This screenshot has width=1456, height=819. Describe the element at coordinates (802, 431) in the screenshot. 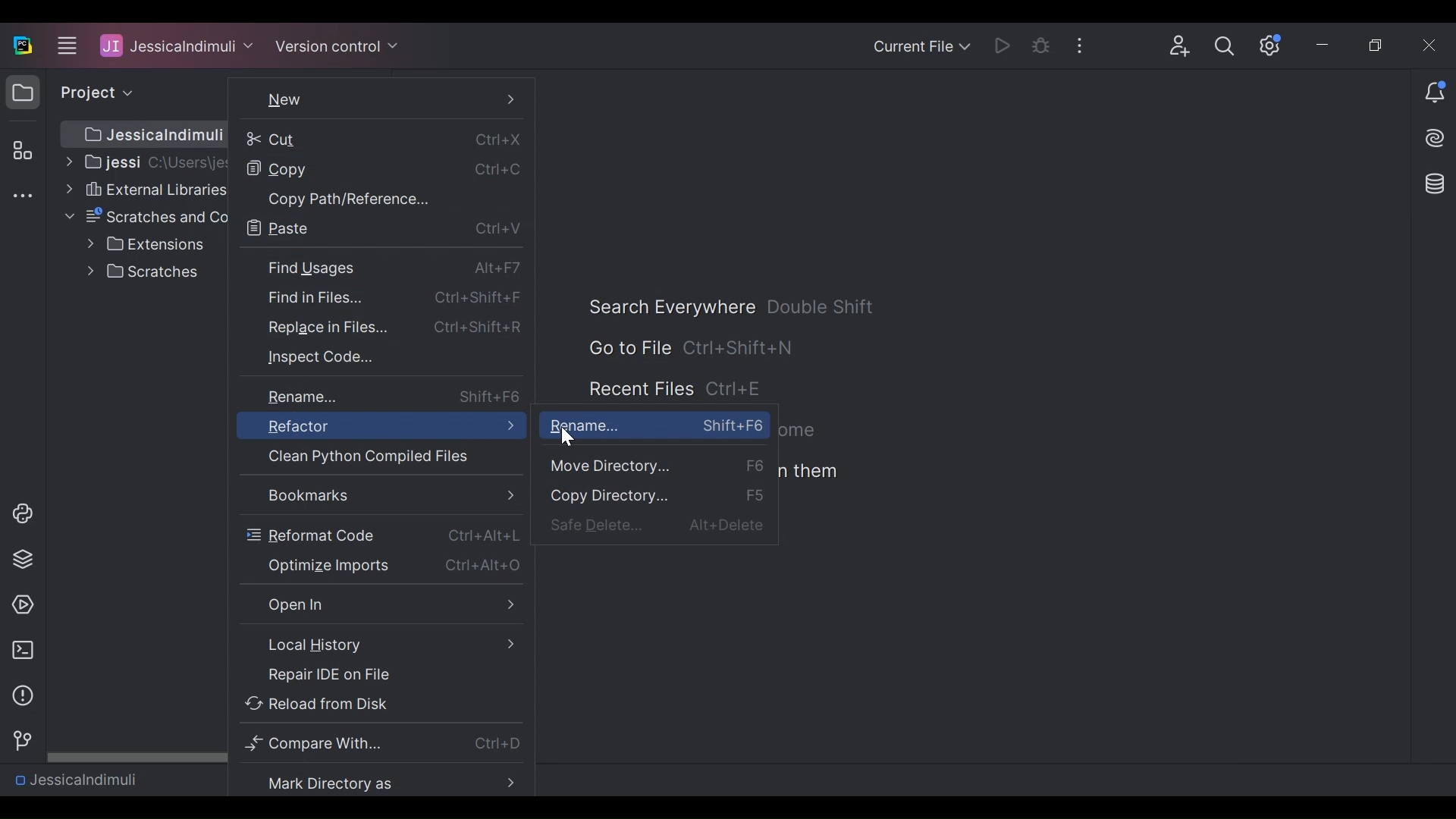

I see `shortcut` at that location.